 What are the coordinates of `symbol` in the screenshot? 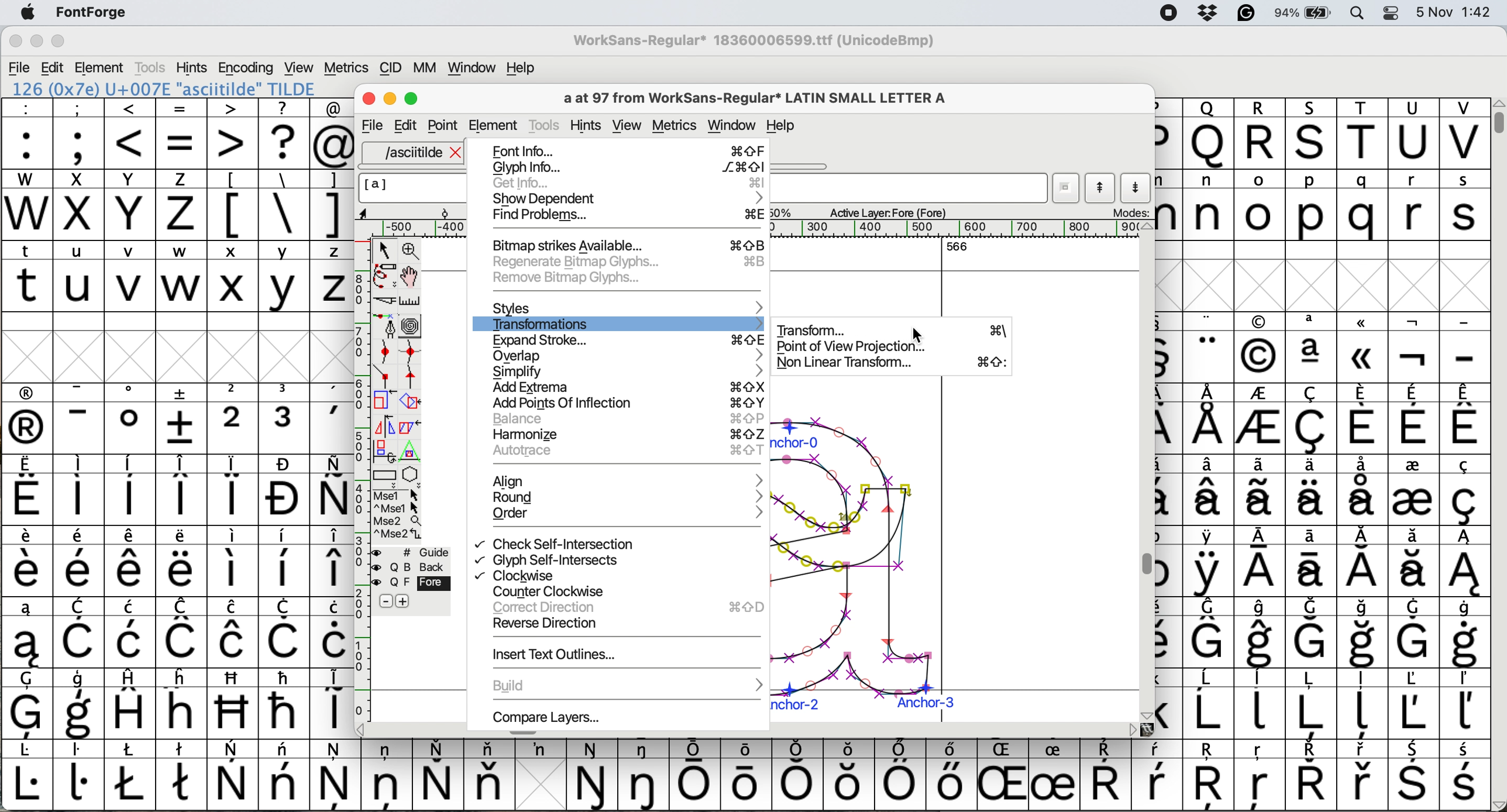 It's located at (1210, 704).